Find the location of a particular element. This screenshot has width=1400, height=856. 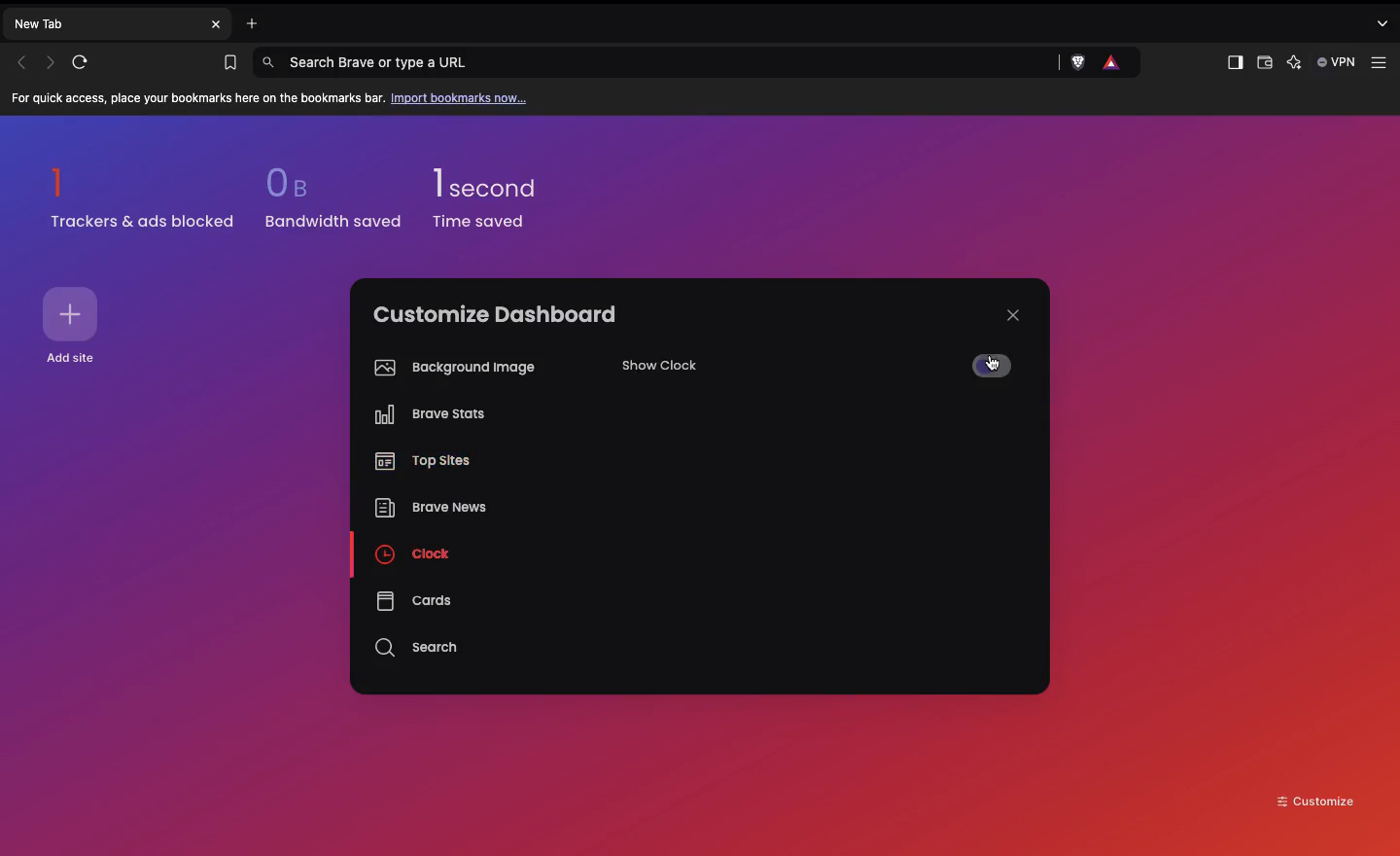

Show clock is located at coordinates (675, 360).